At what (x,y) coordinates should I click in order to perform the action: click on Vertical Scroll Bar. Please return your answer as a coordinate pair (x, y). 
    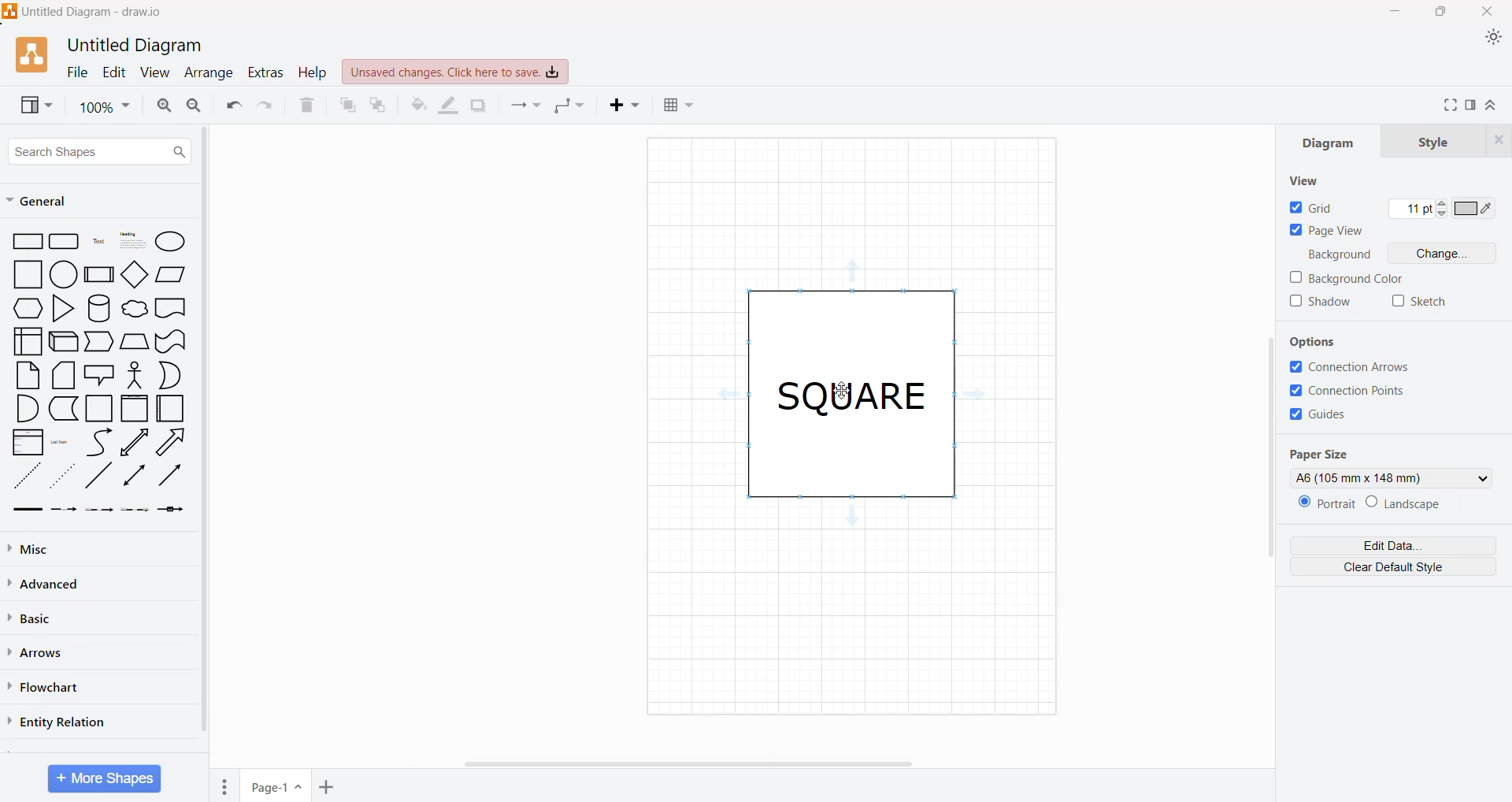
    Looking at the image, I should click on (206, 433).